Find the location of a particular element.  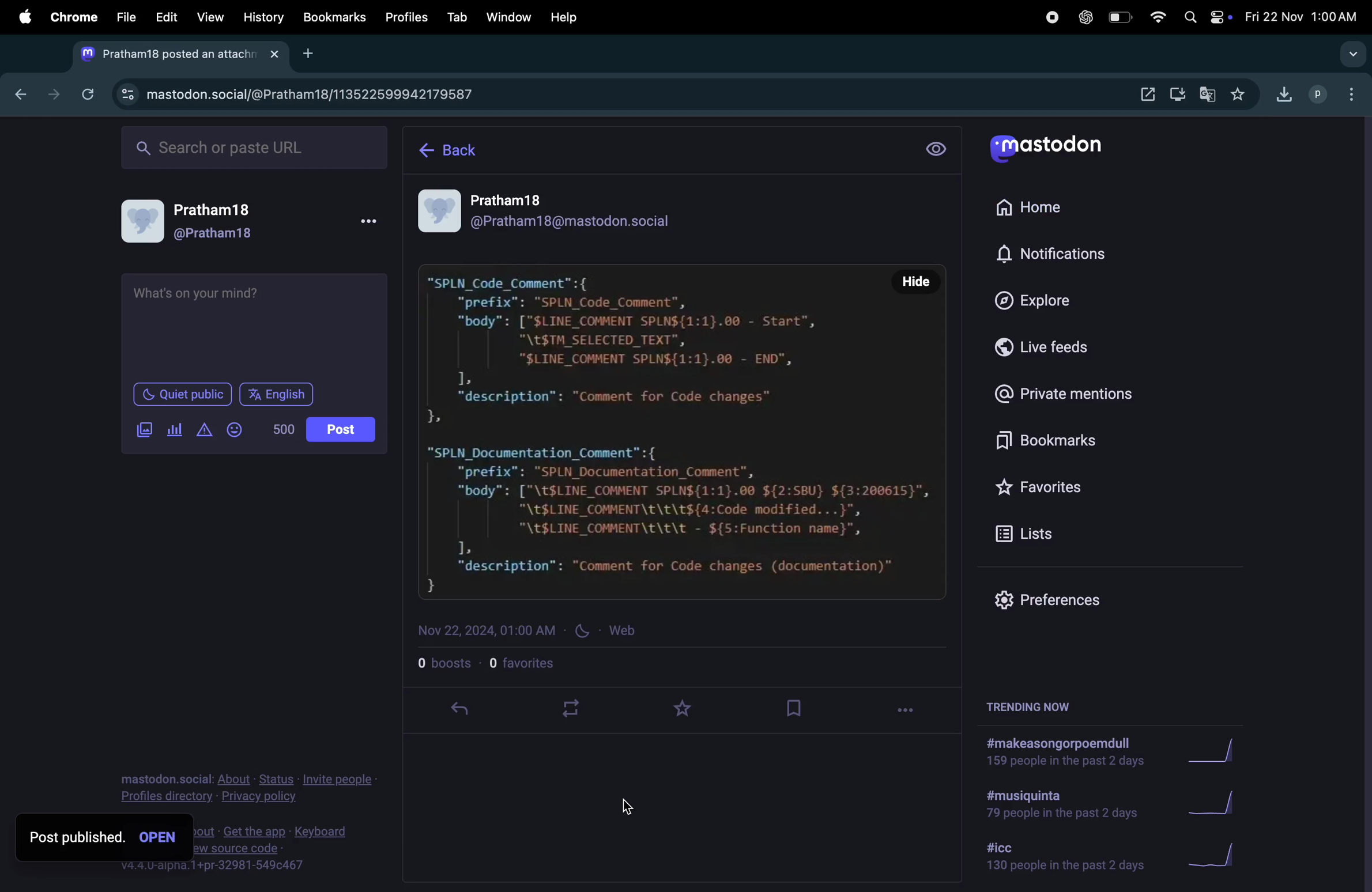

source code is located at coordinates (238, 848).